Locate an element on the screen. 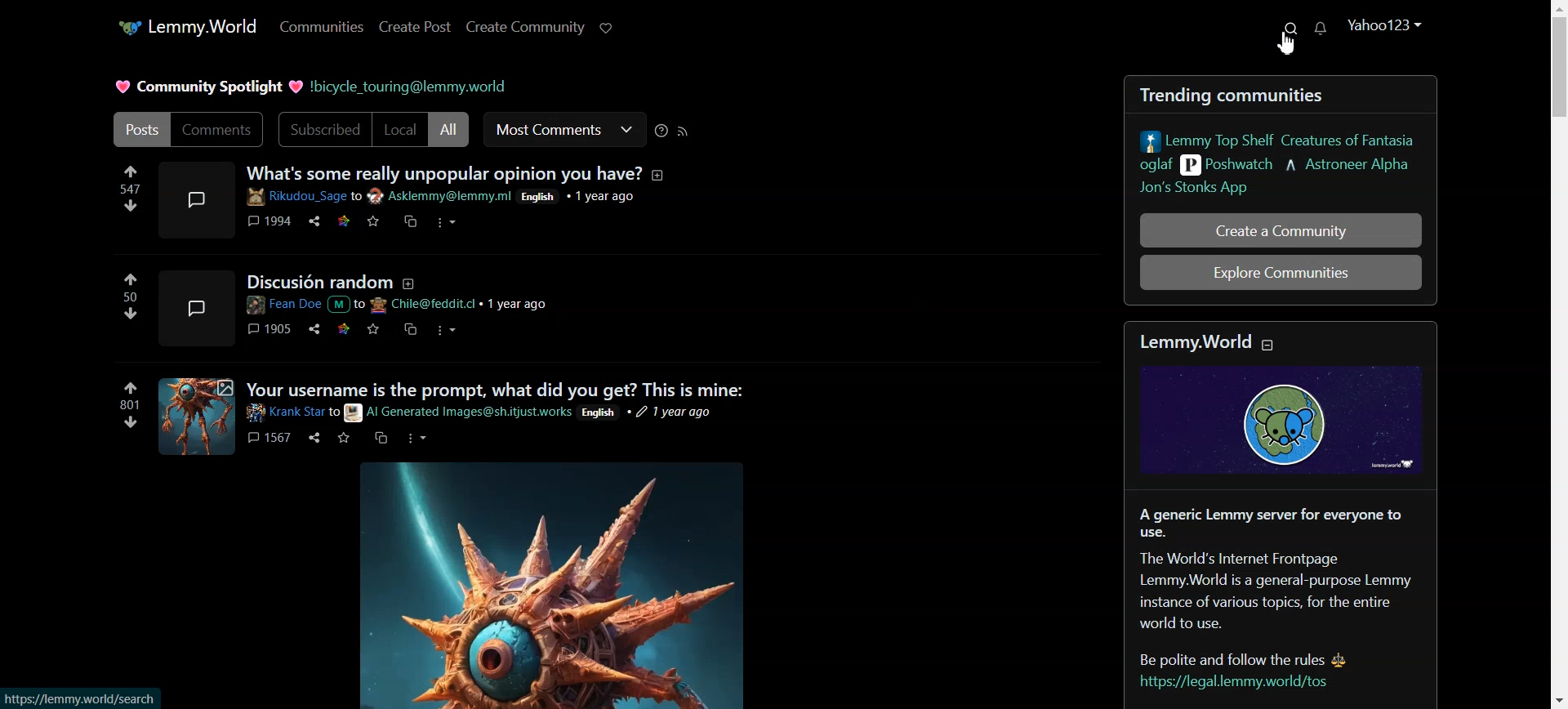 This screenshot has height=709, width=1568. copy is located at coordinates (409, 222).